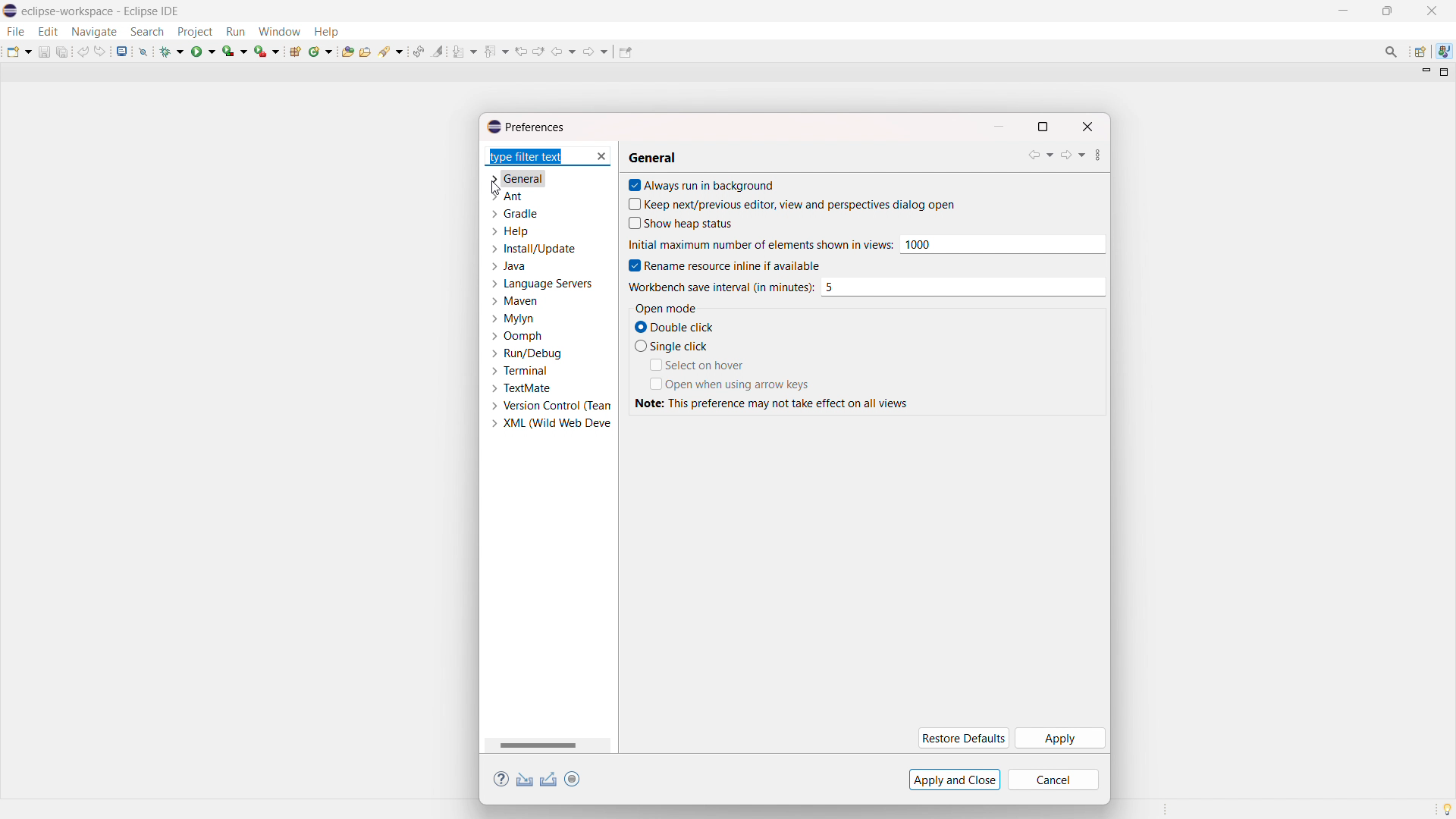 This screenshot has height=819, width=1456. Describe the element at coordinates (508, 266) in the screenshot. I see `java` at that location.